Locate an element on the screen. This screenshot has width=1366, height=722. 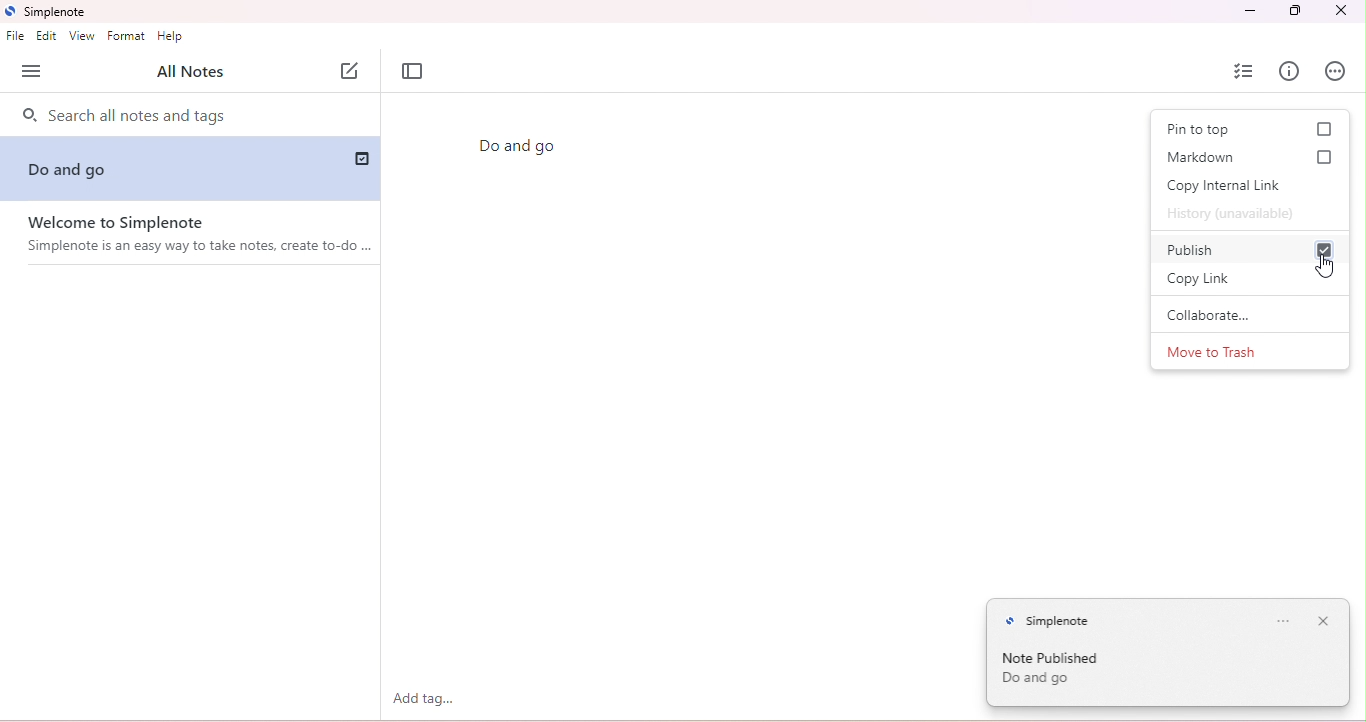
toggle focus mode is located at coordinates (414, 72).